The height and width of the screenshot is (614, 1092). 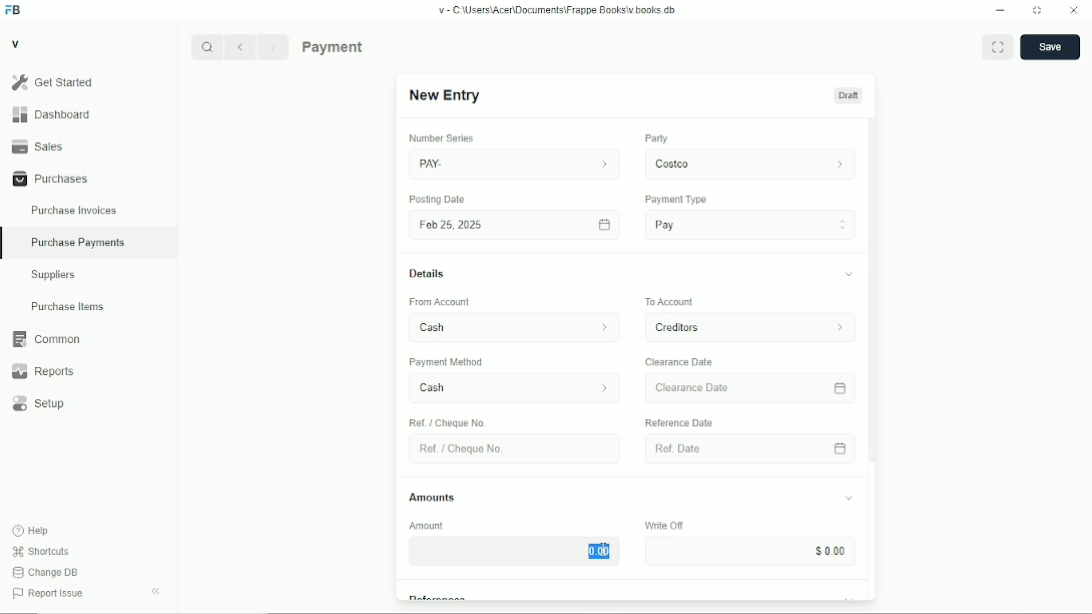 I want to click on Draft, so click(x=848, y=95).